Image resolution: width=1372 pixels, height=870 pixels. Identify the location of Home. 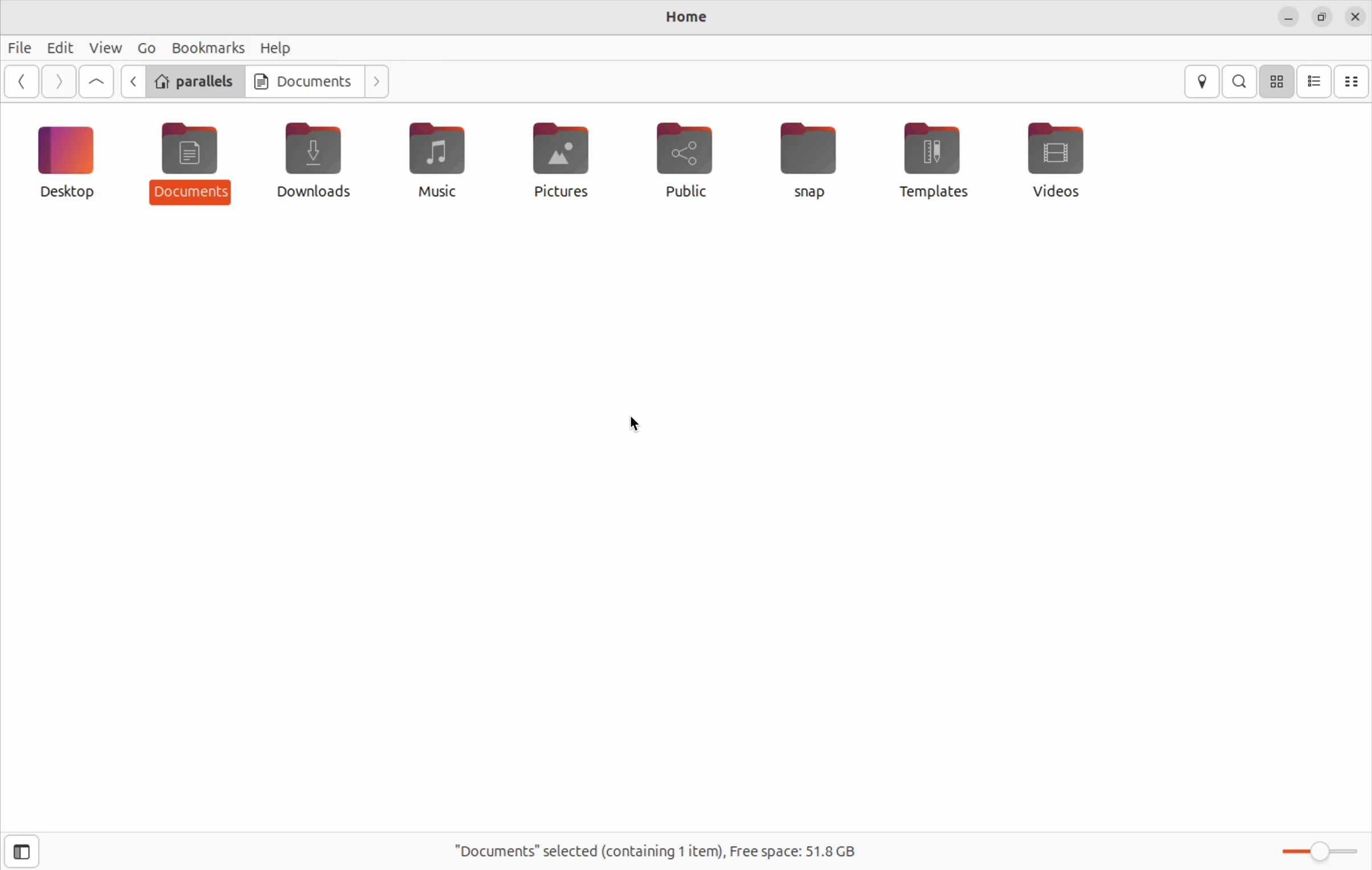
(692, 18).